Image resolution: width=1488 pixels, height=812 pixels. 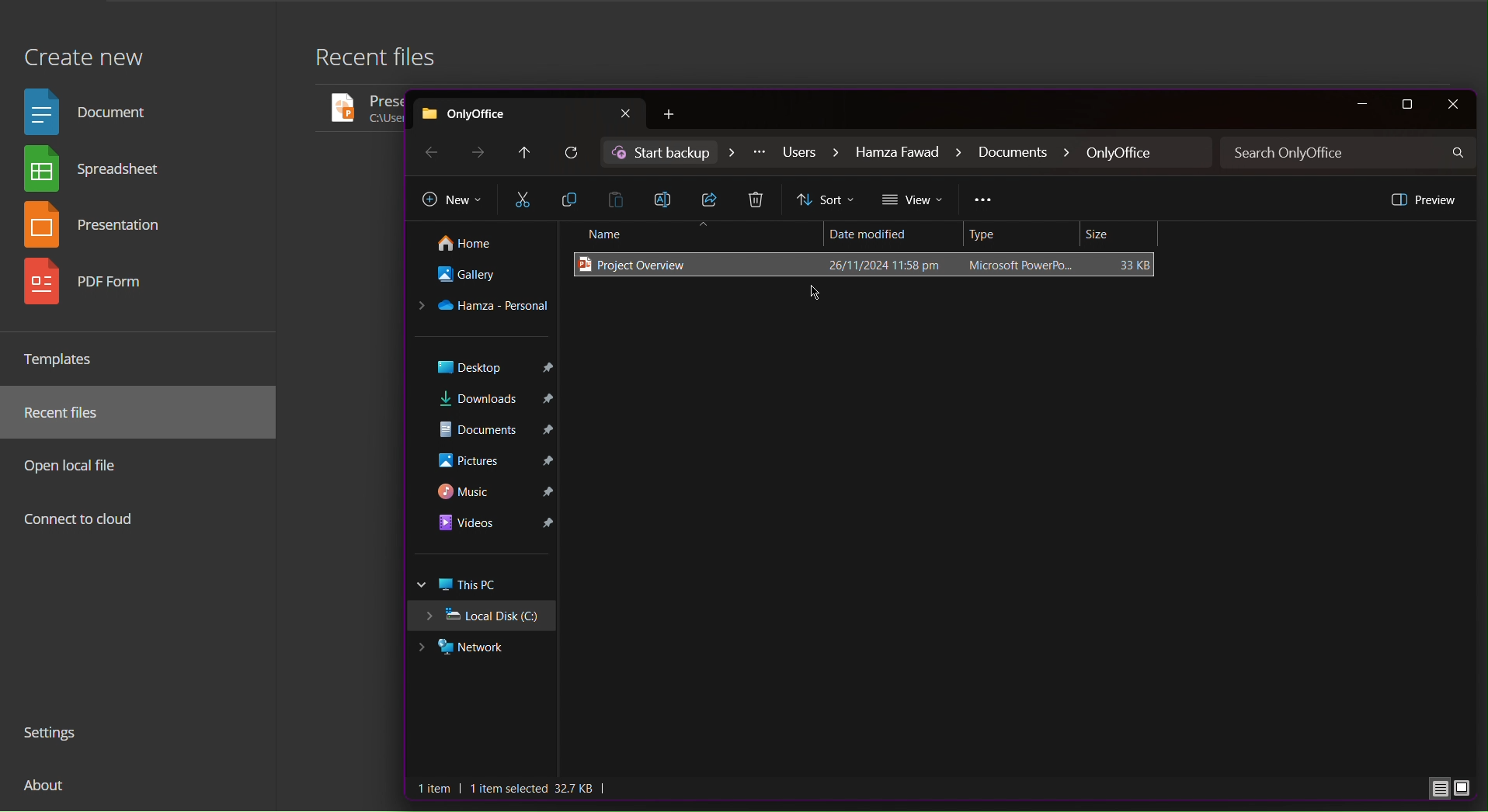 What do you see at coordinates (71, 413) in the screenshot?
I see `Recent Files` at bounding box center [71, 413].